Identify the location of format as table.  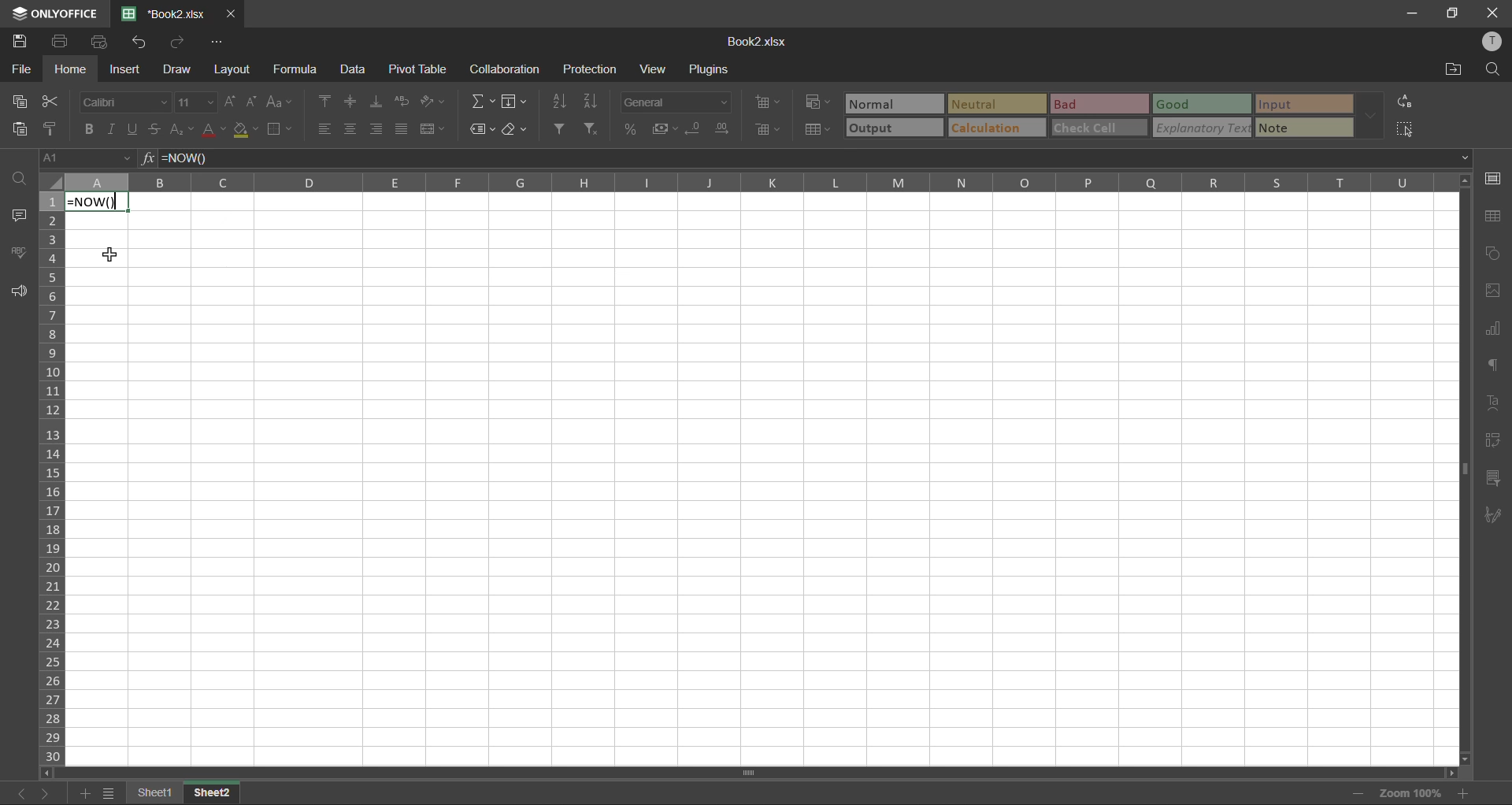
(821, 131).